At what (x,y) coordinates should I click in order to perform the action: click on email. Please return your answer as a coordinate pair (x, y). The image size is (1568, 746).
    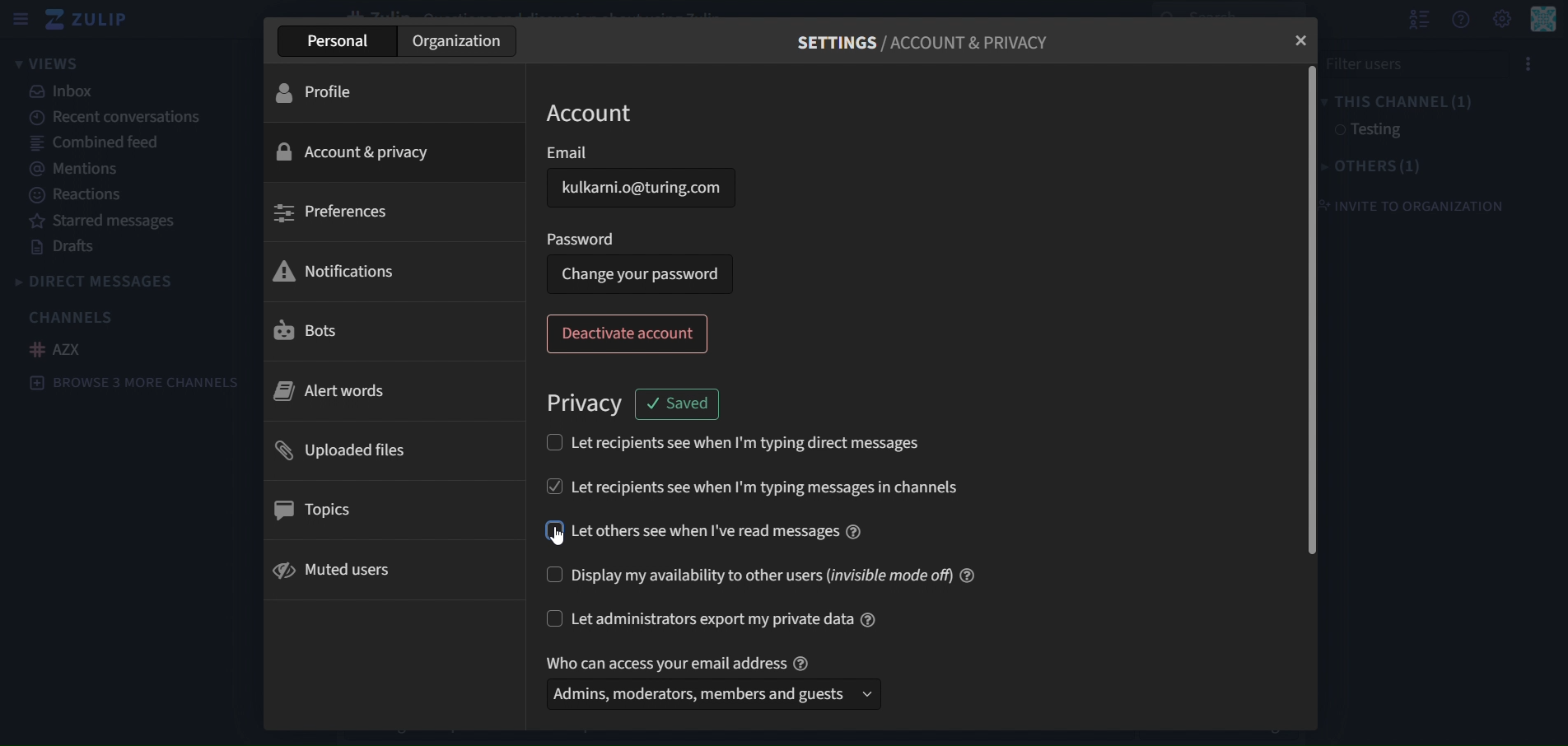
    Looking at the image, I should click on (642, 153).